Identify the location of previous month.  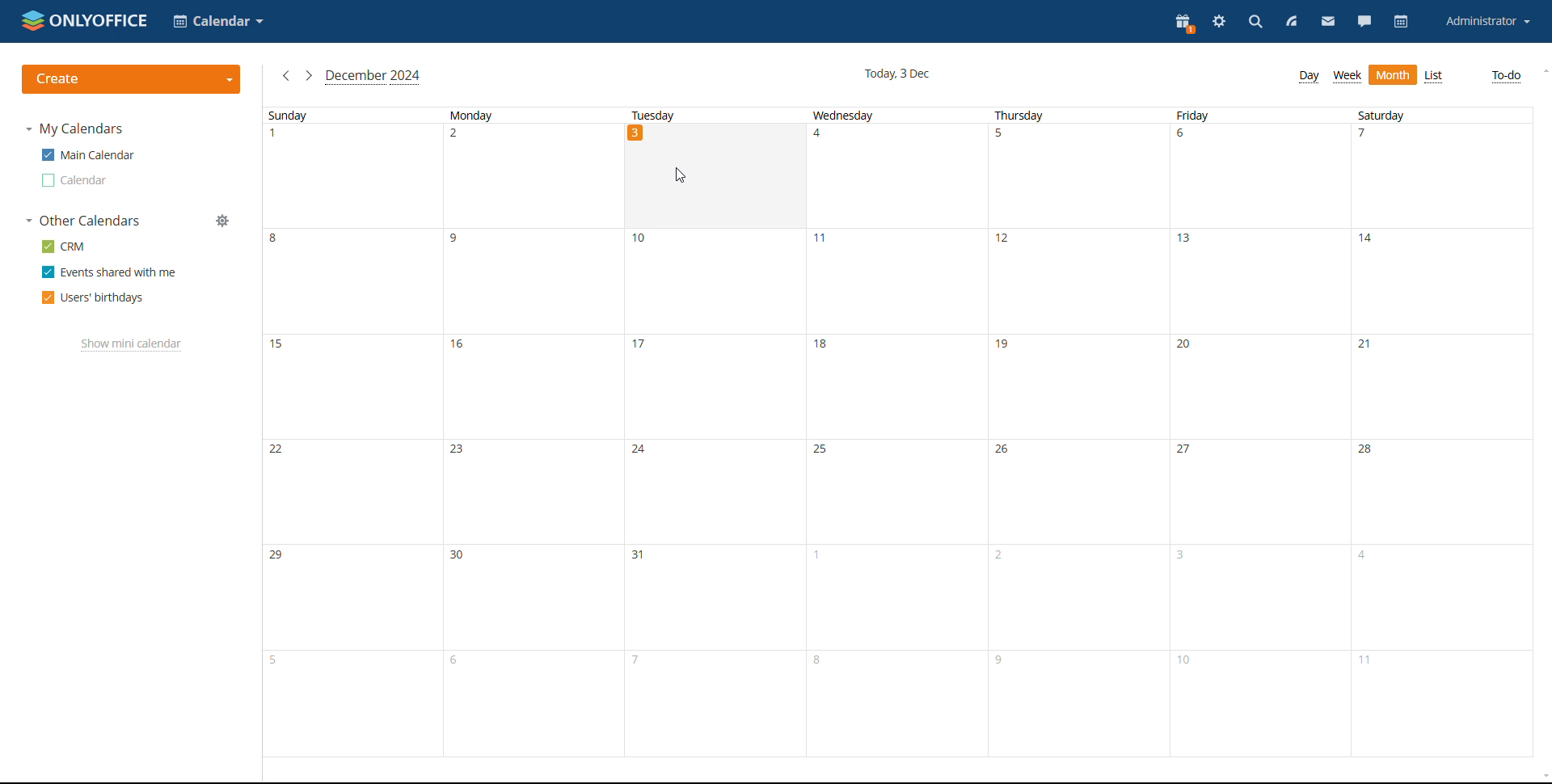
(286, 77).